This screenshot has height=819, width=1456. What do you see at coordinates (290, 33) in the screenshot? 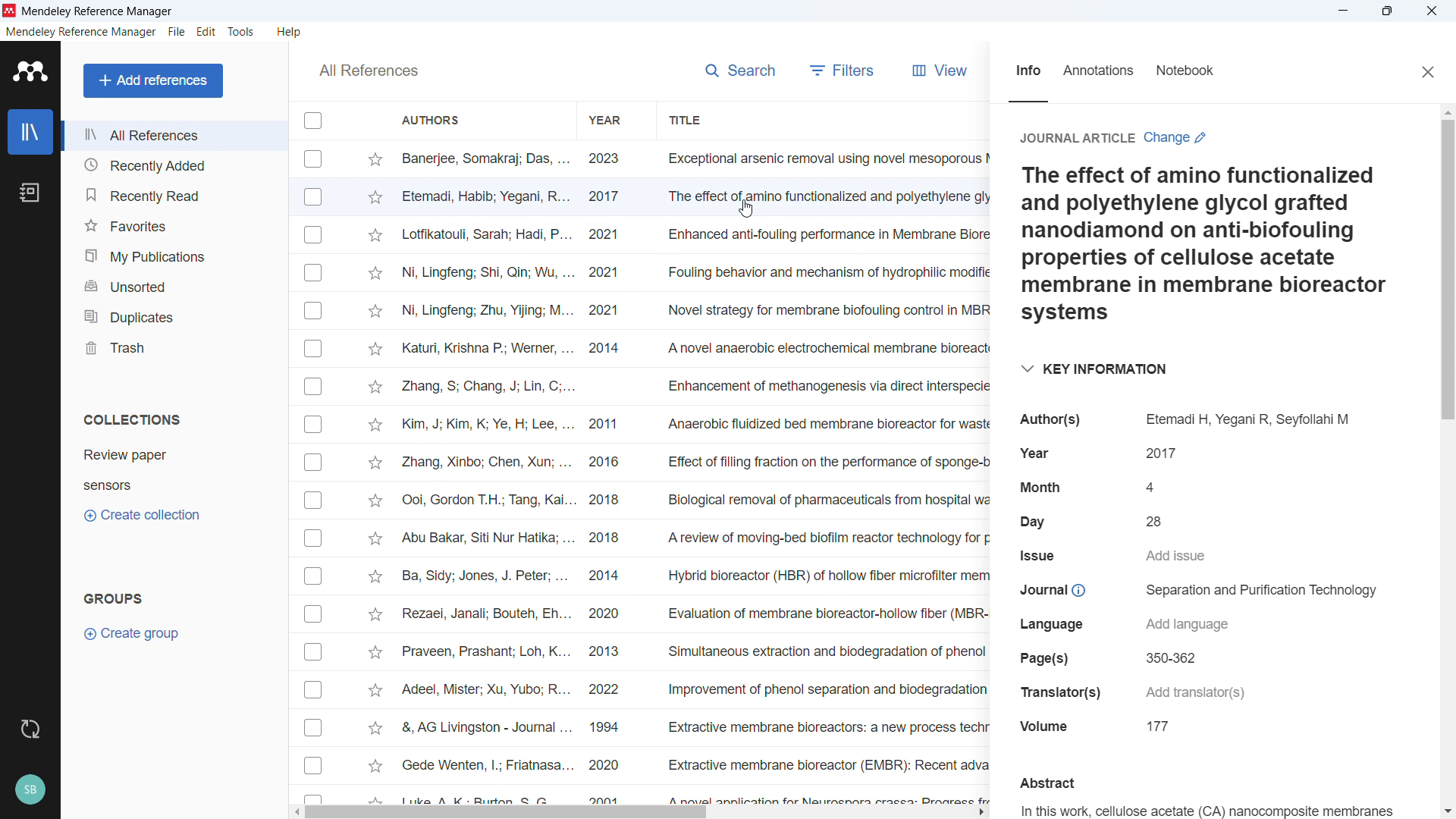
I see `help` at bounding box center [290, 33].